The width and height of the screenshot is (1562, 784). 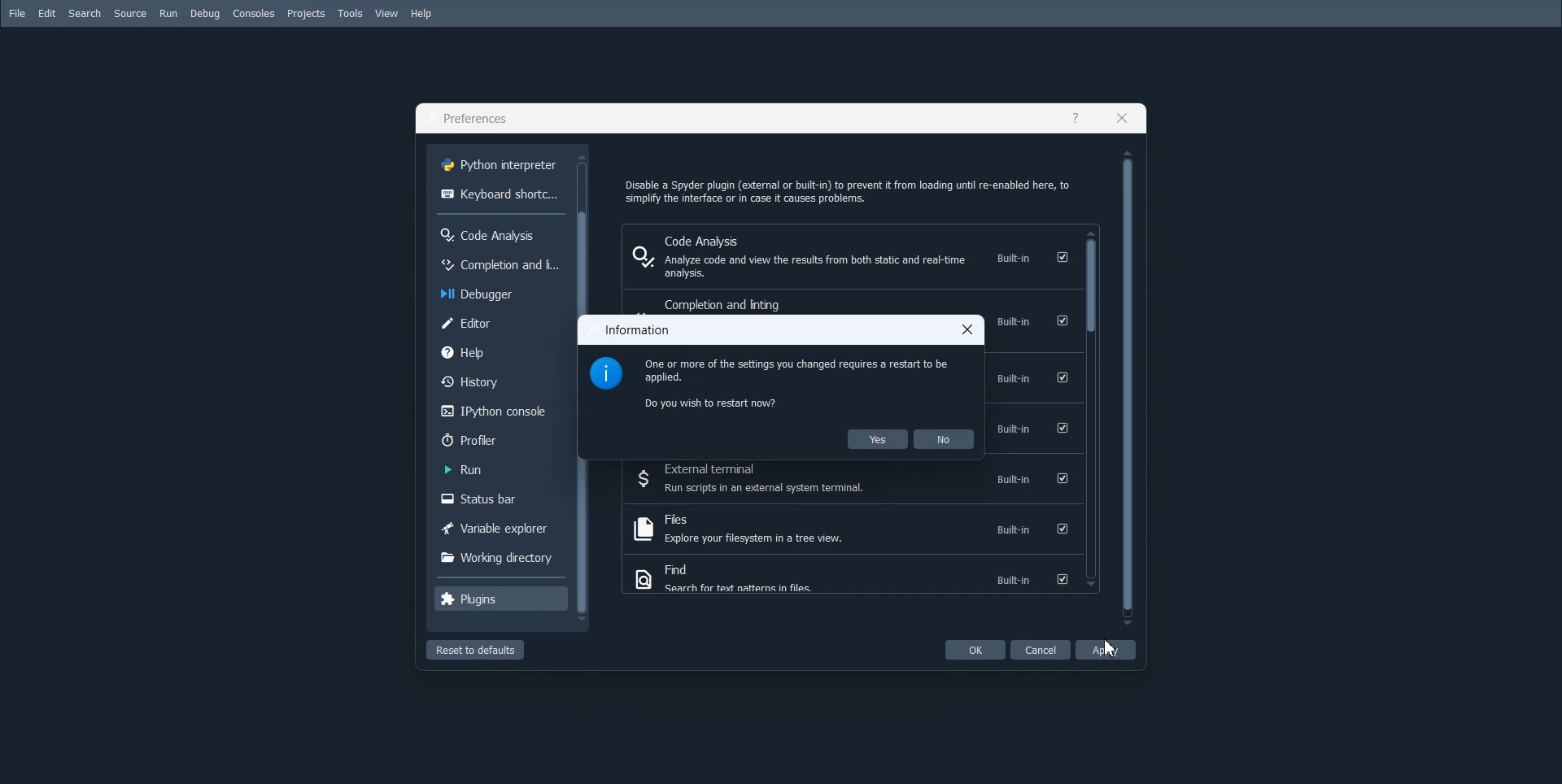 What do you see at coordinates (474, 649) in the screenshot?
I see `Reset to defaults` at bounding box center [474, 649].